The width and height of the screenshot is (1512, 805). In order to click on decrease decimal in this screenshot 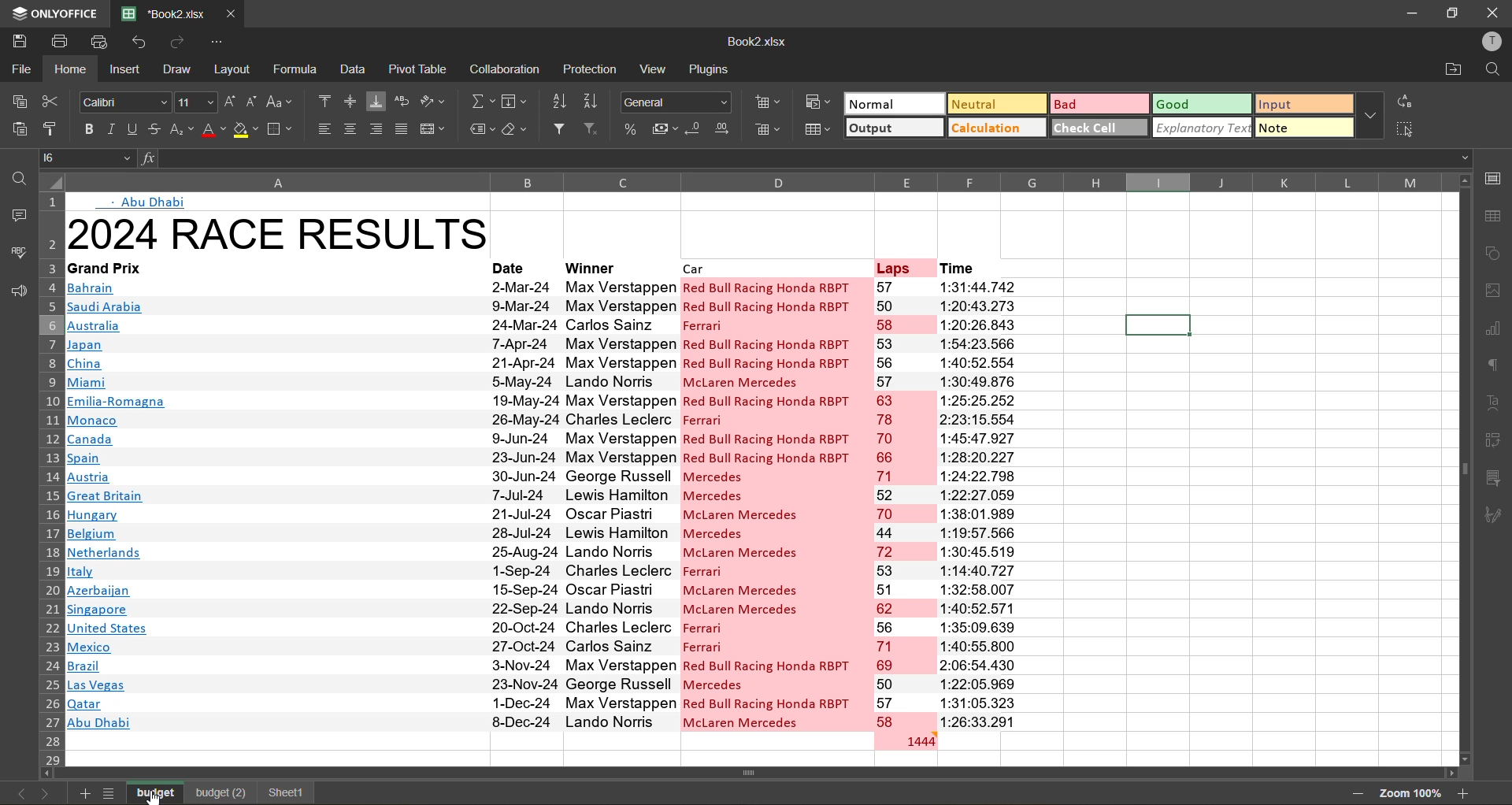, I will do `click(696, 129)`.